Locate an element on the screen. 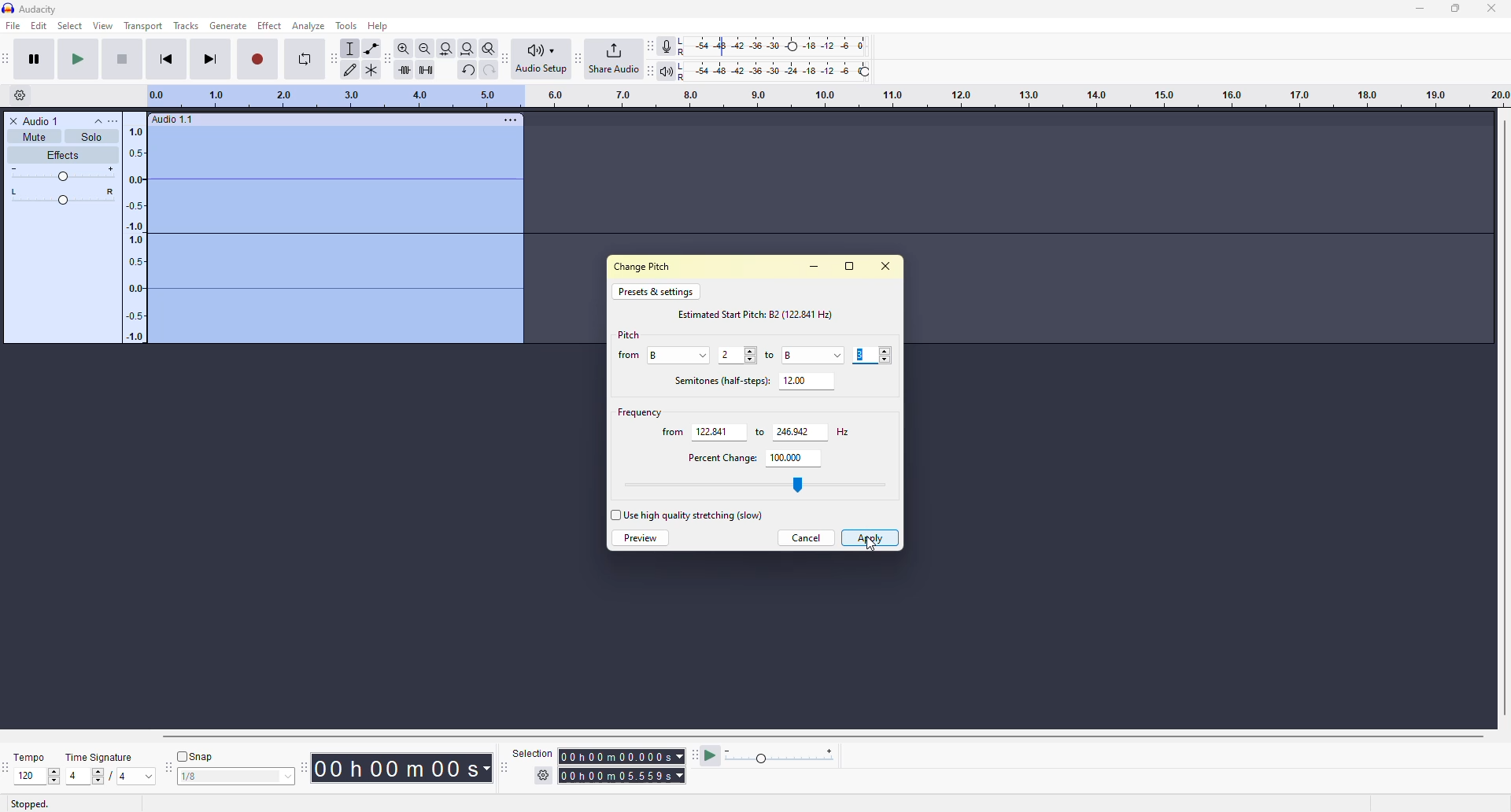 This screenshot has width=1511, height=812. 1/8 is located at coordinates (203, 778).